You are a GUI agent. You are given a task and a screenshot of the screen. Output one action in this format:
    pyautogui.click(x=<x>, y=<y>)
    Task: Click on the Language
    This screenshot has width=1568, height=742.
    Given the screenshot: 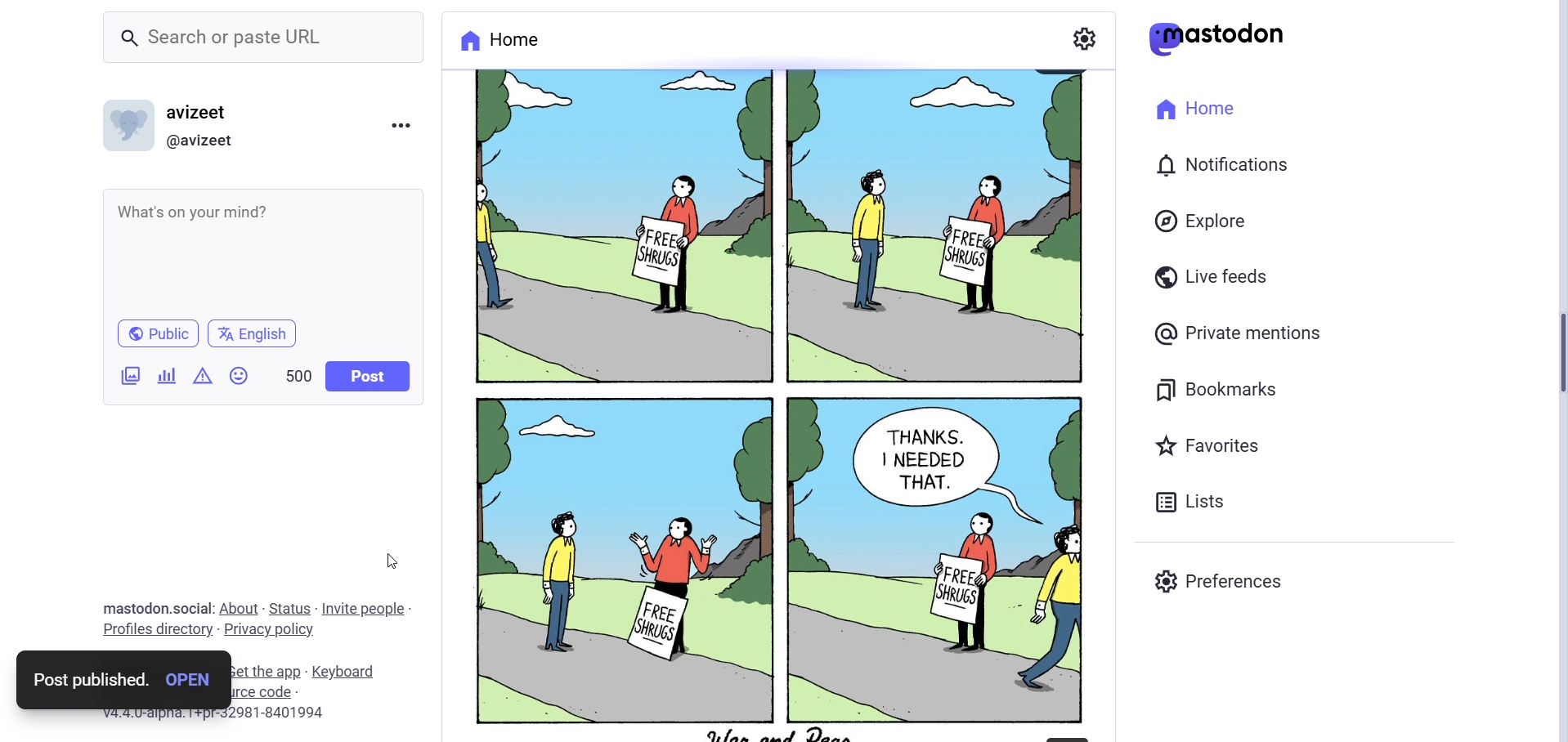 What is the action you would take?
    pyautogui.click(x=253, y=333)
    